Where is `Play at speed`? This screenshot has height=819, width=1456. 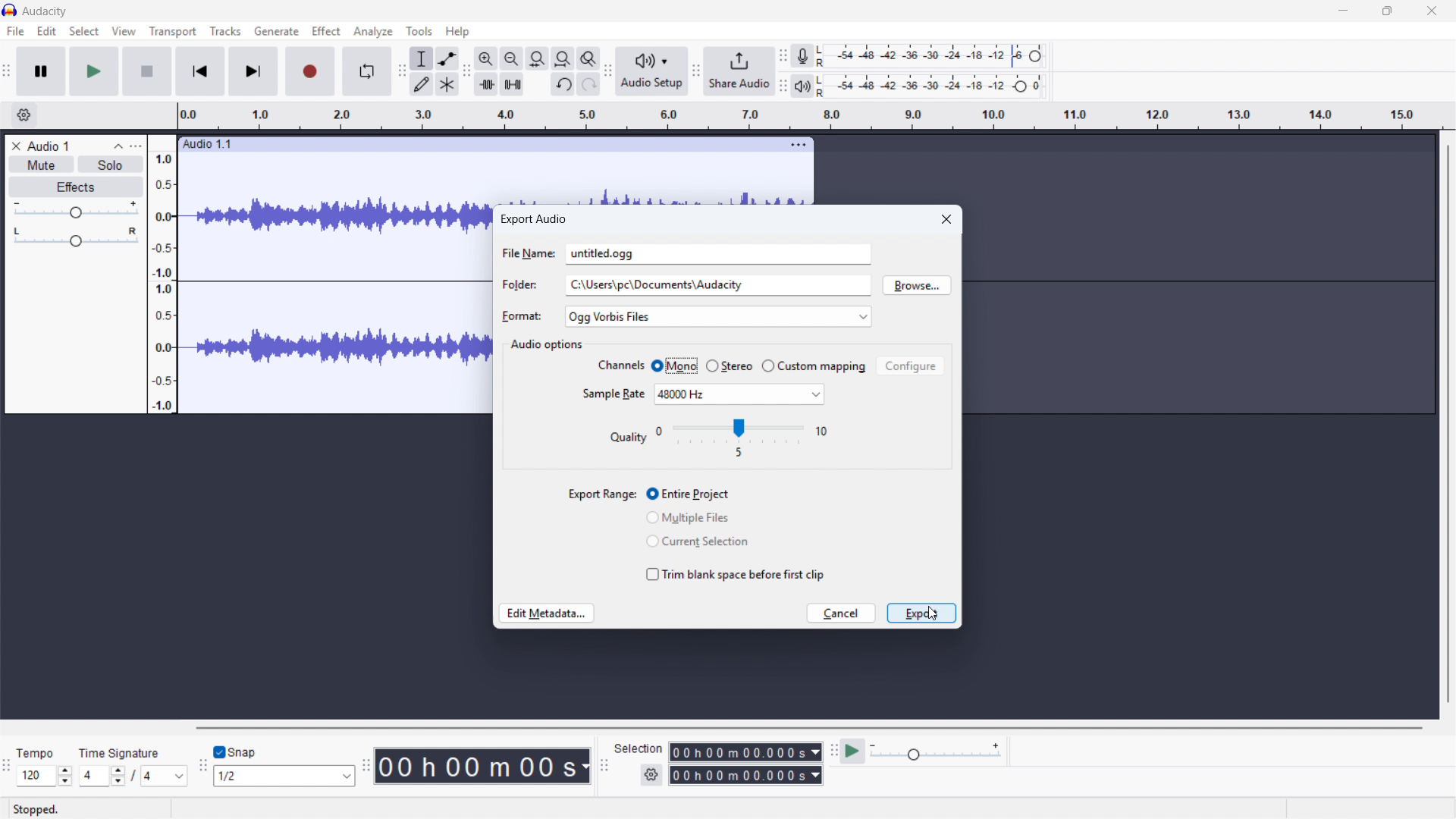
Play at speed is located at coordinates (852, 751).